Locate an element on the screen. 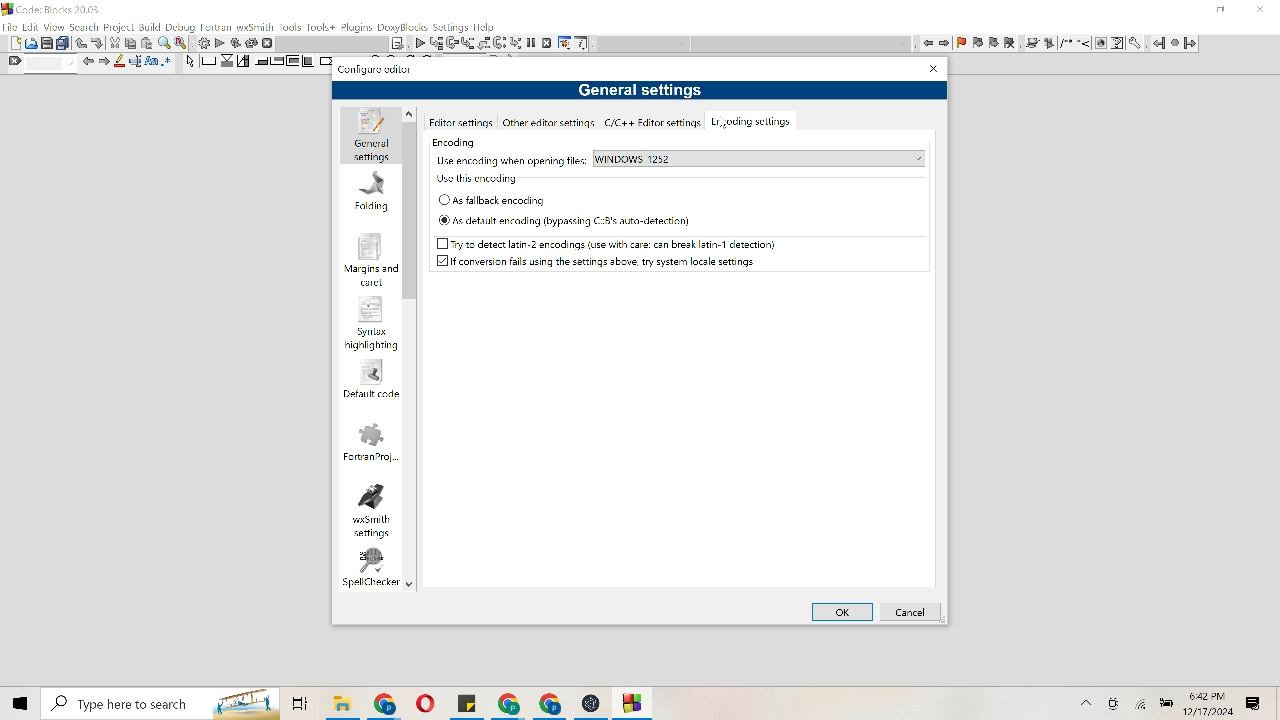 The image size is (1280, 720). Try to detect latin-2 encodings is located at coordinates (605, 242).